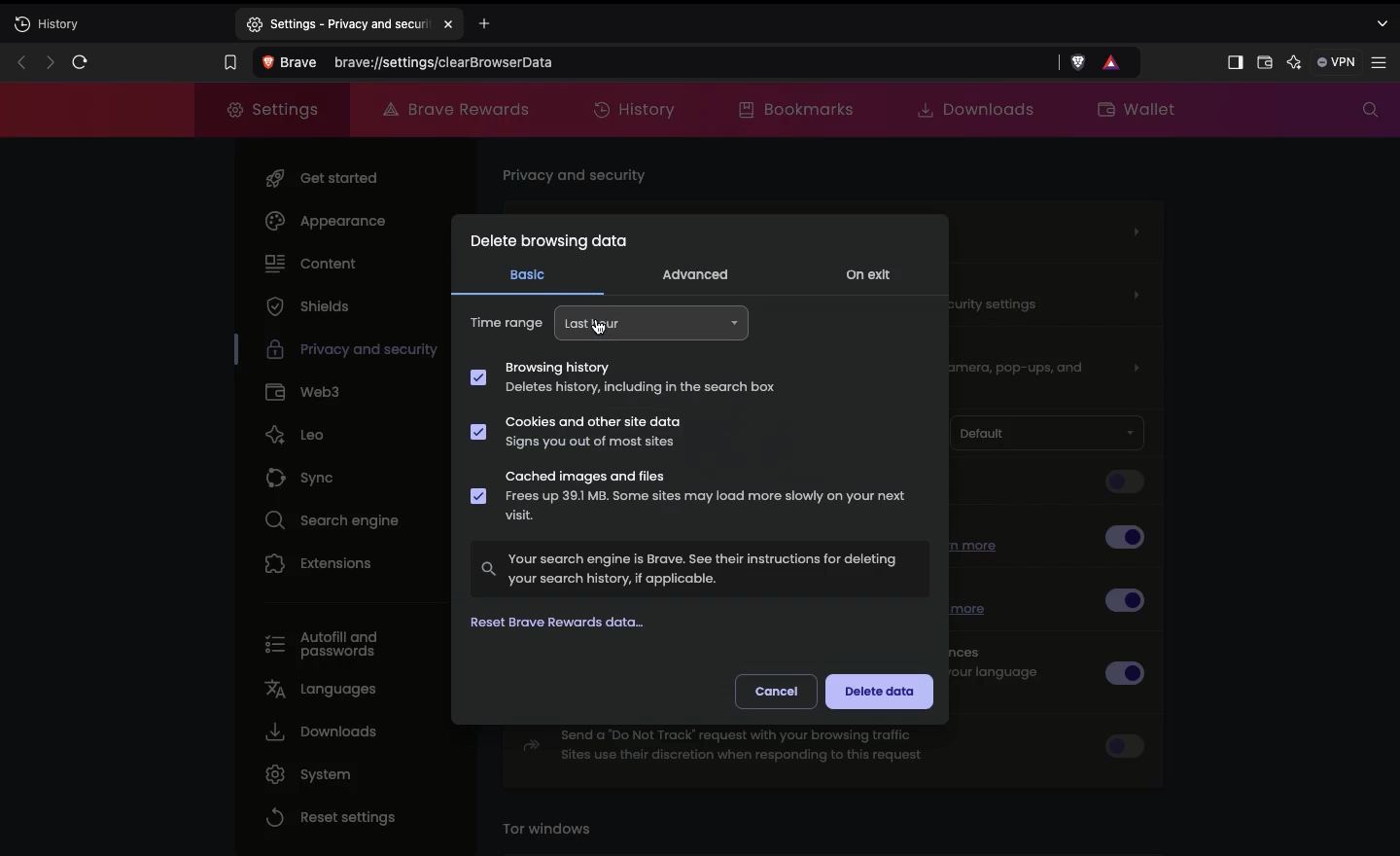  Describe the element at coordinates (527, 274) in the screenshot. I see `Basic` at that location.